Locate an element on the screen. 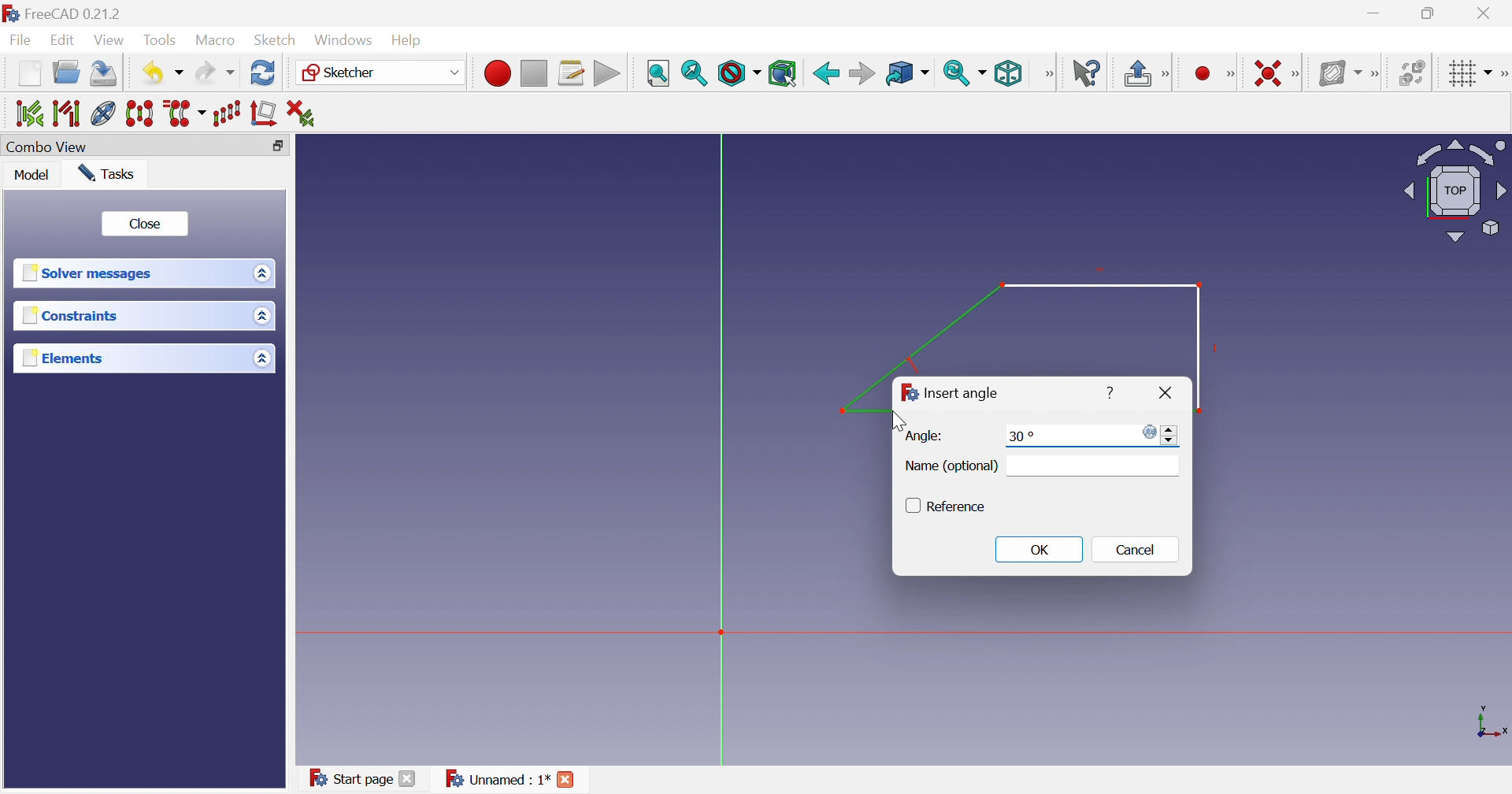 This screenshot has height=794, width=1512. Help is located at coordinates (1107, 394).